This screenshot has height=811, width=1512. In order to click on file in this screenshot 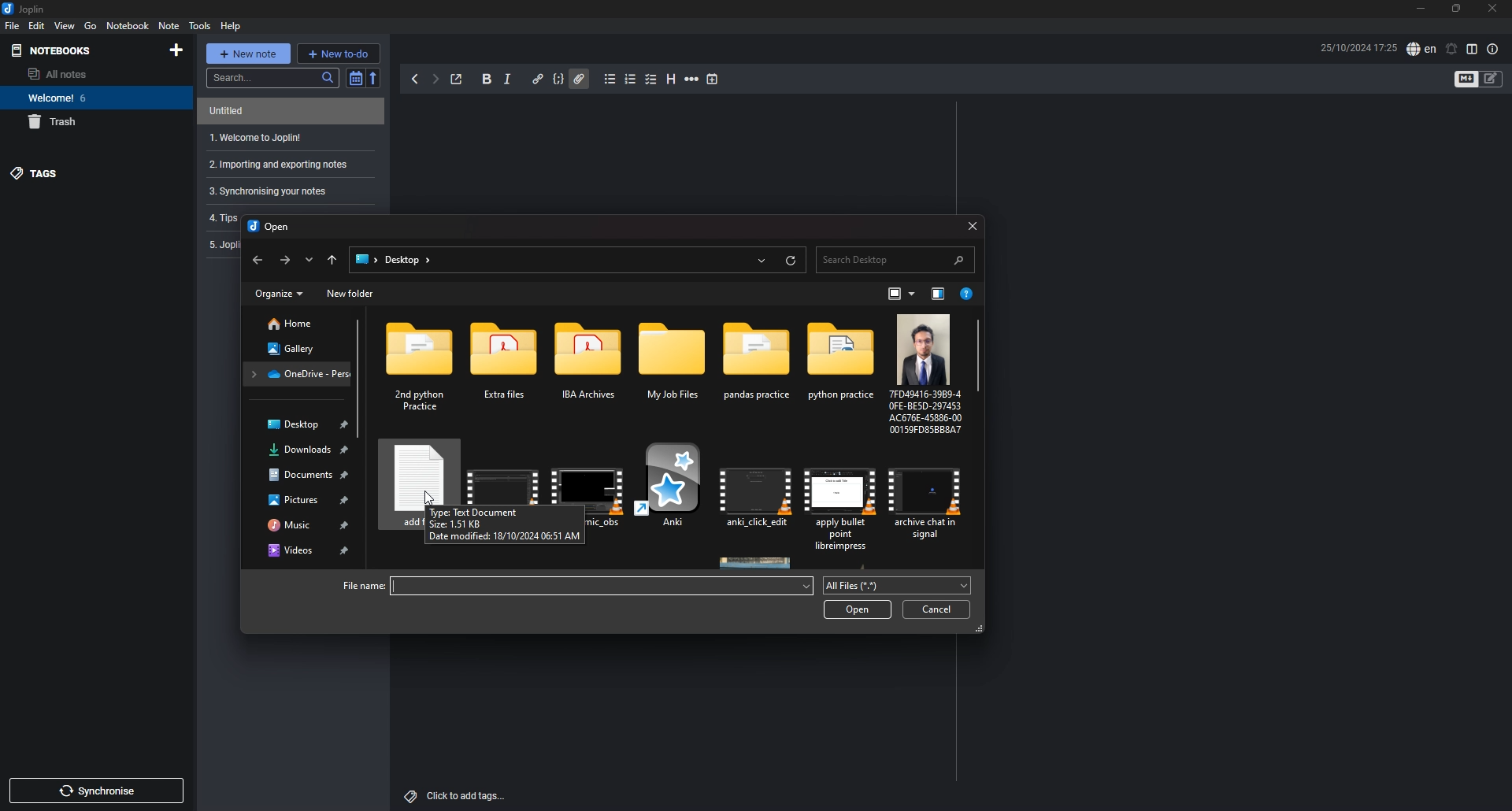, I will do `click(501, 472)`.